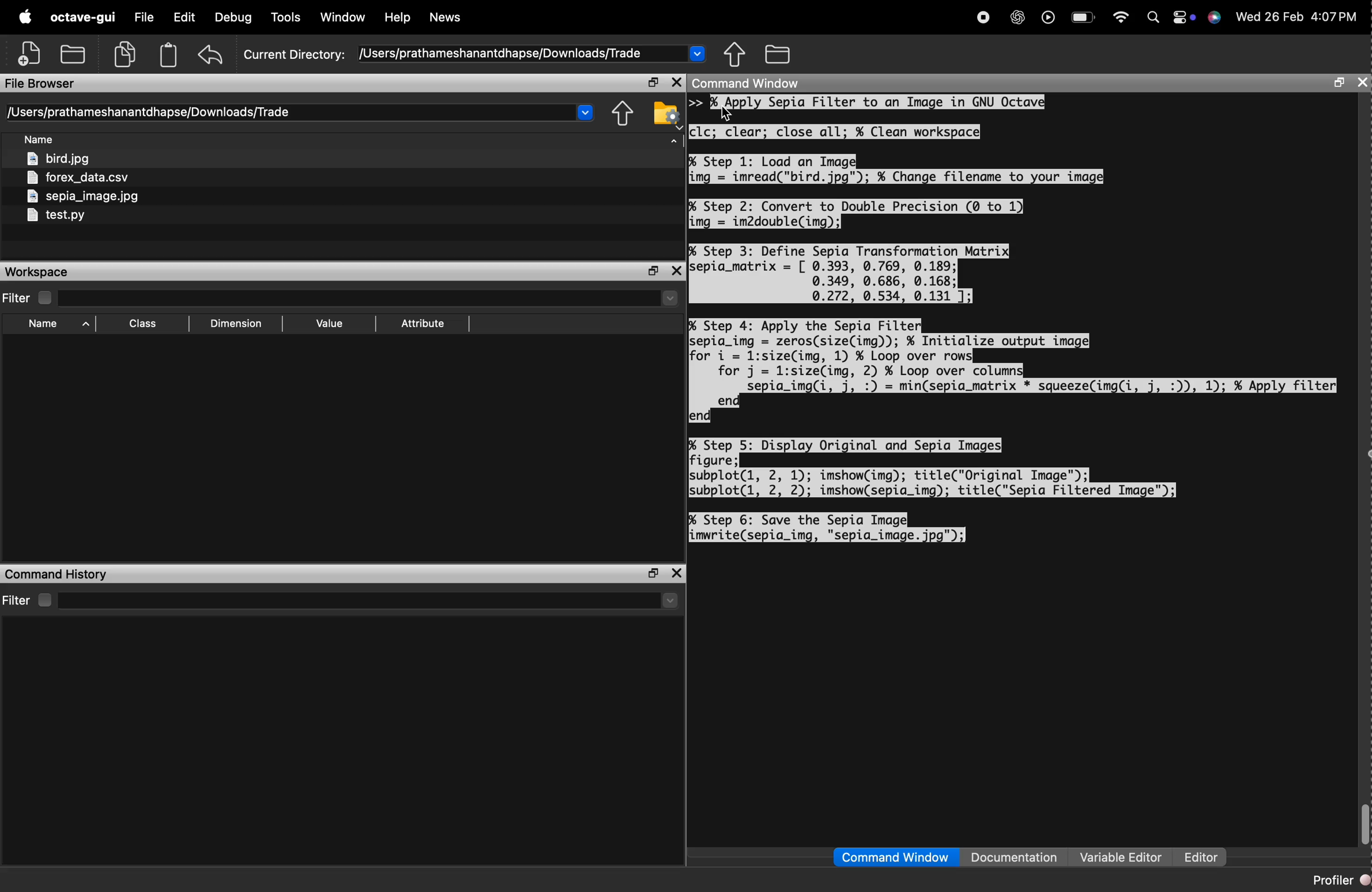 The width and height of the screenshot is (1372, 892). Describe the element at coordinates (84, 18) in the screenshot. I see `octave-gui` at that location.